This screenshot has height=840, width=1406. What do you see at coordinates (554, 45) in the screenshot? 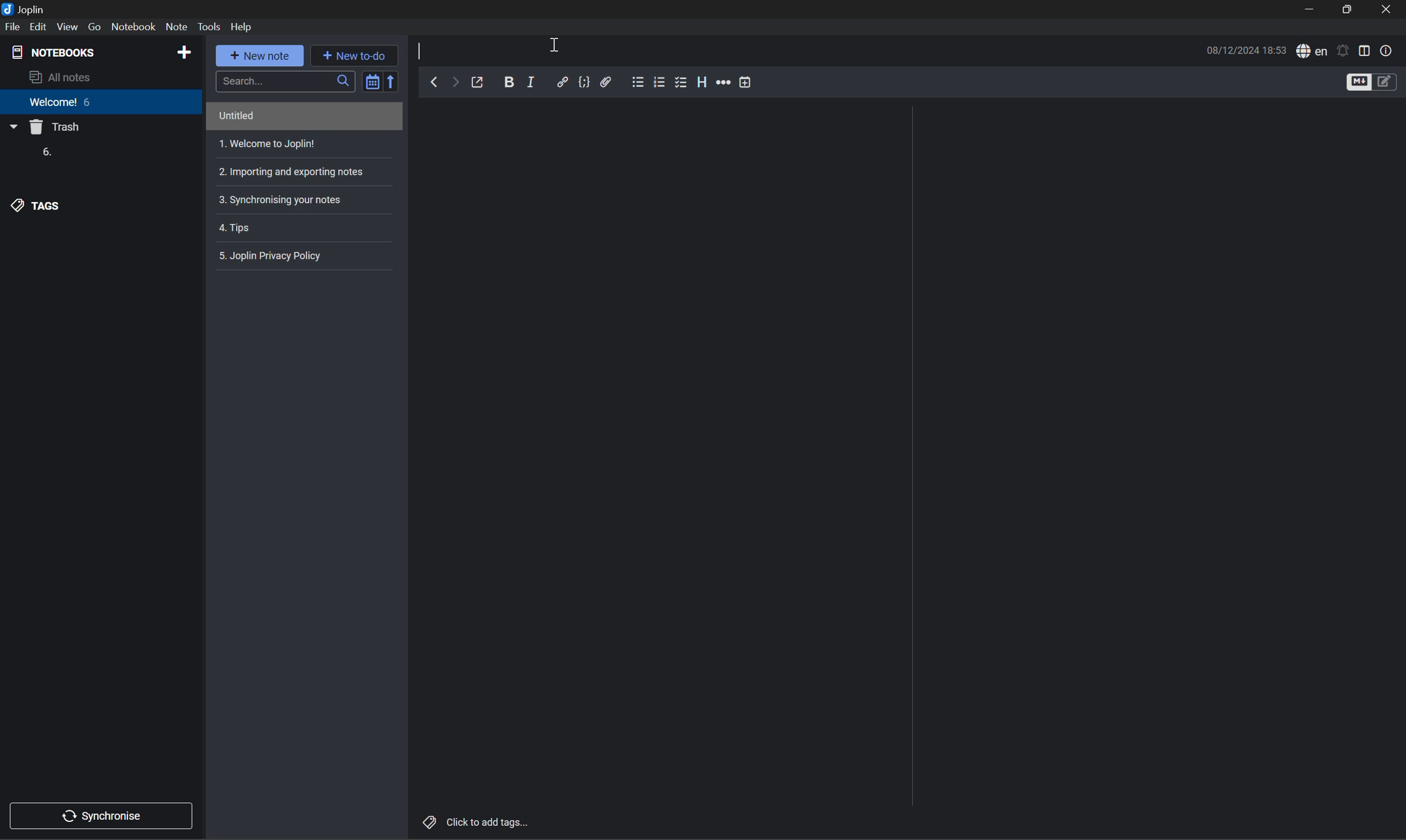
I see `Cursor` at bounding box center [554, 45].